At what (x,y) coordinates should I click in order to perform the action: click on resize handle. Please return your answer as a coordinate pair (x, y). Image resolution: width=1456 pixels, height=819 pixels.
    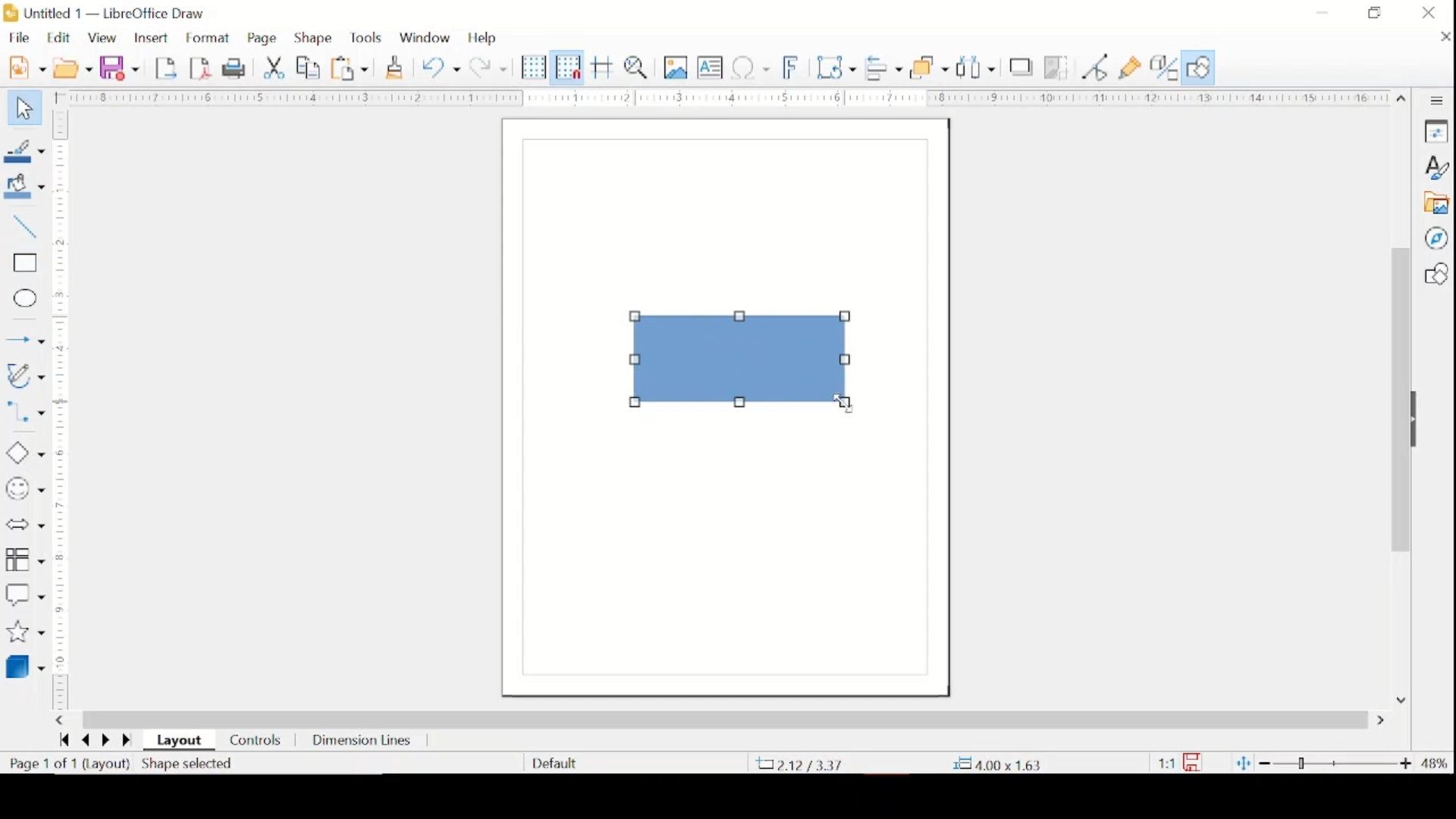
    Looking at the image, I should click on (636, 359).